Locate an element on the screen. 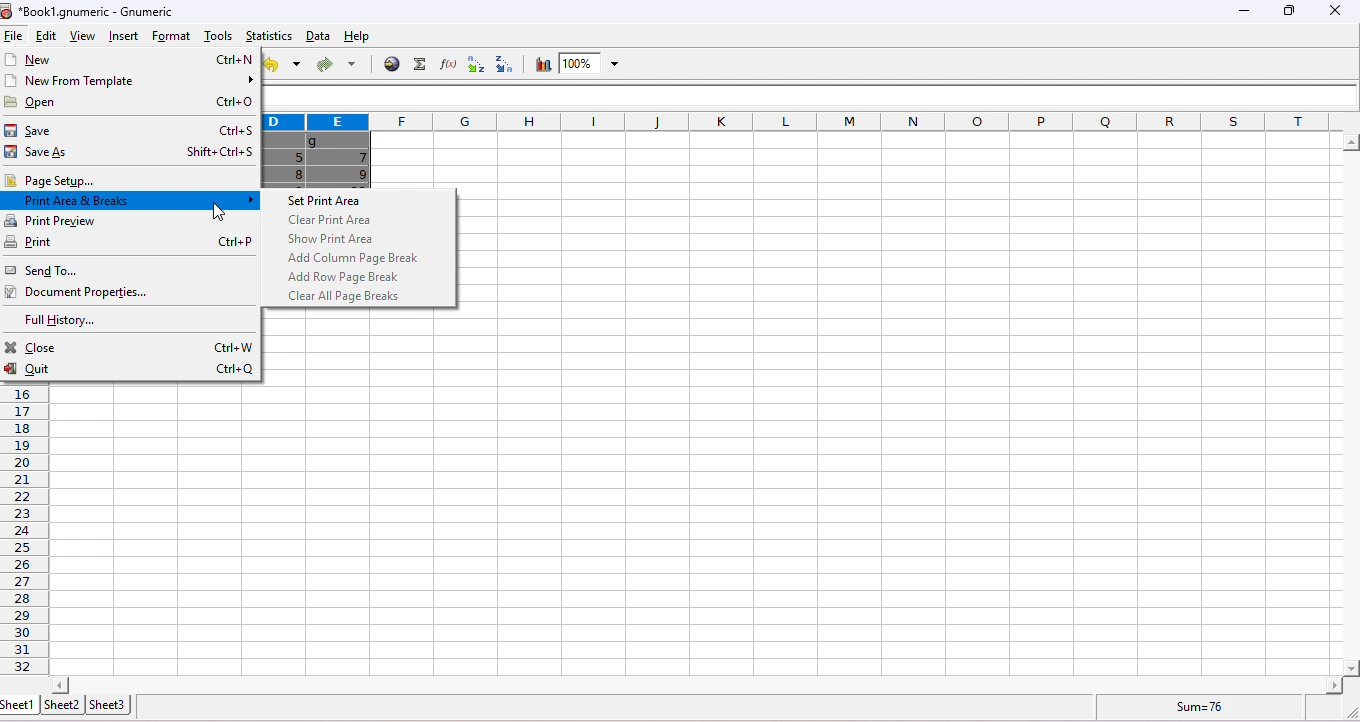  set print area is located at coordinates (335, 201).